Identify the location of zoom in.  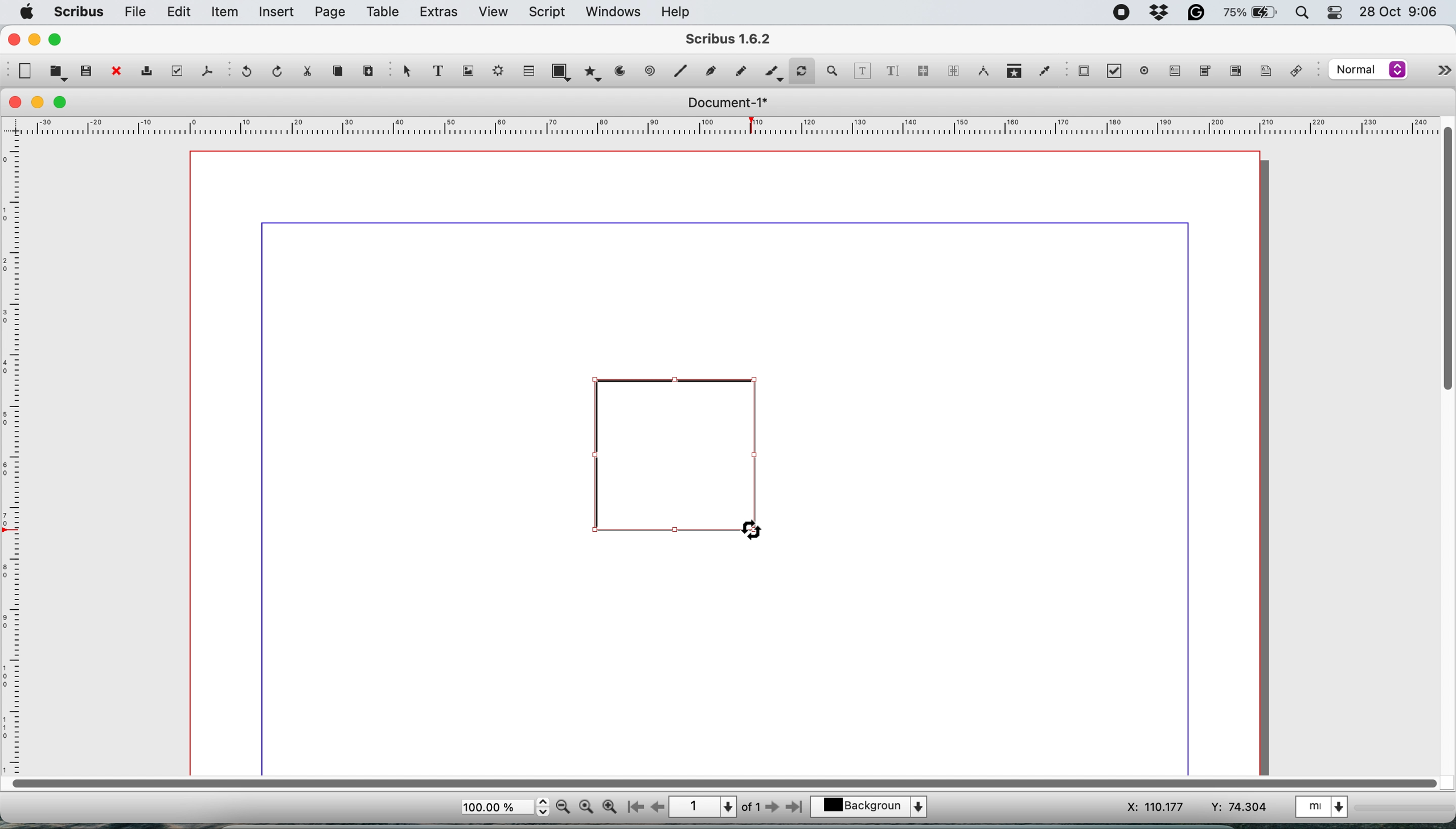
(609, 807).